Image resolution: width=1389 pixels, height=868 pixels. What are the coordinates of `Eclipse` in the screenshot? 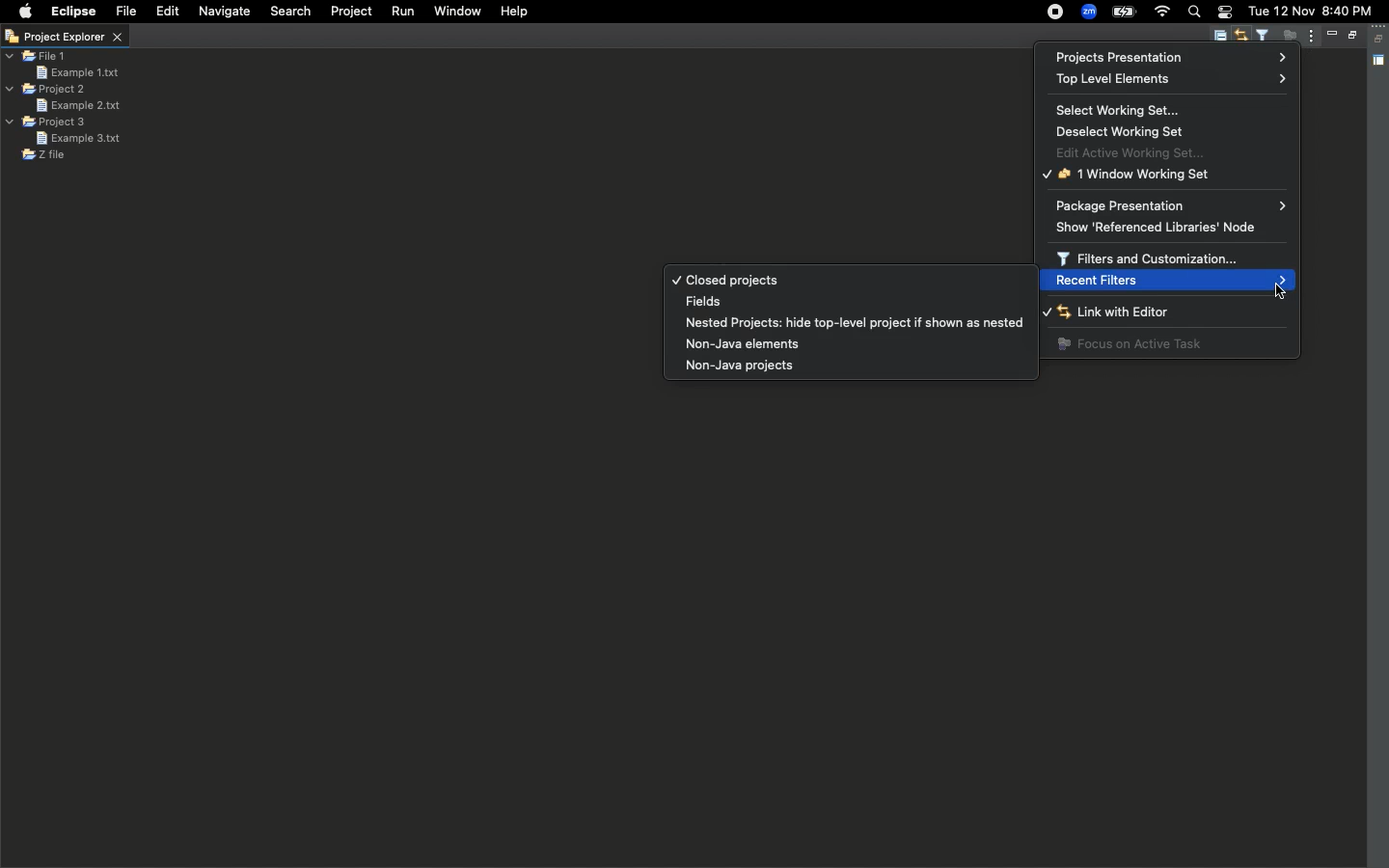 It's located at (74, 13).